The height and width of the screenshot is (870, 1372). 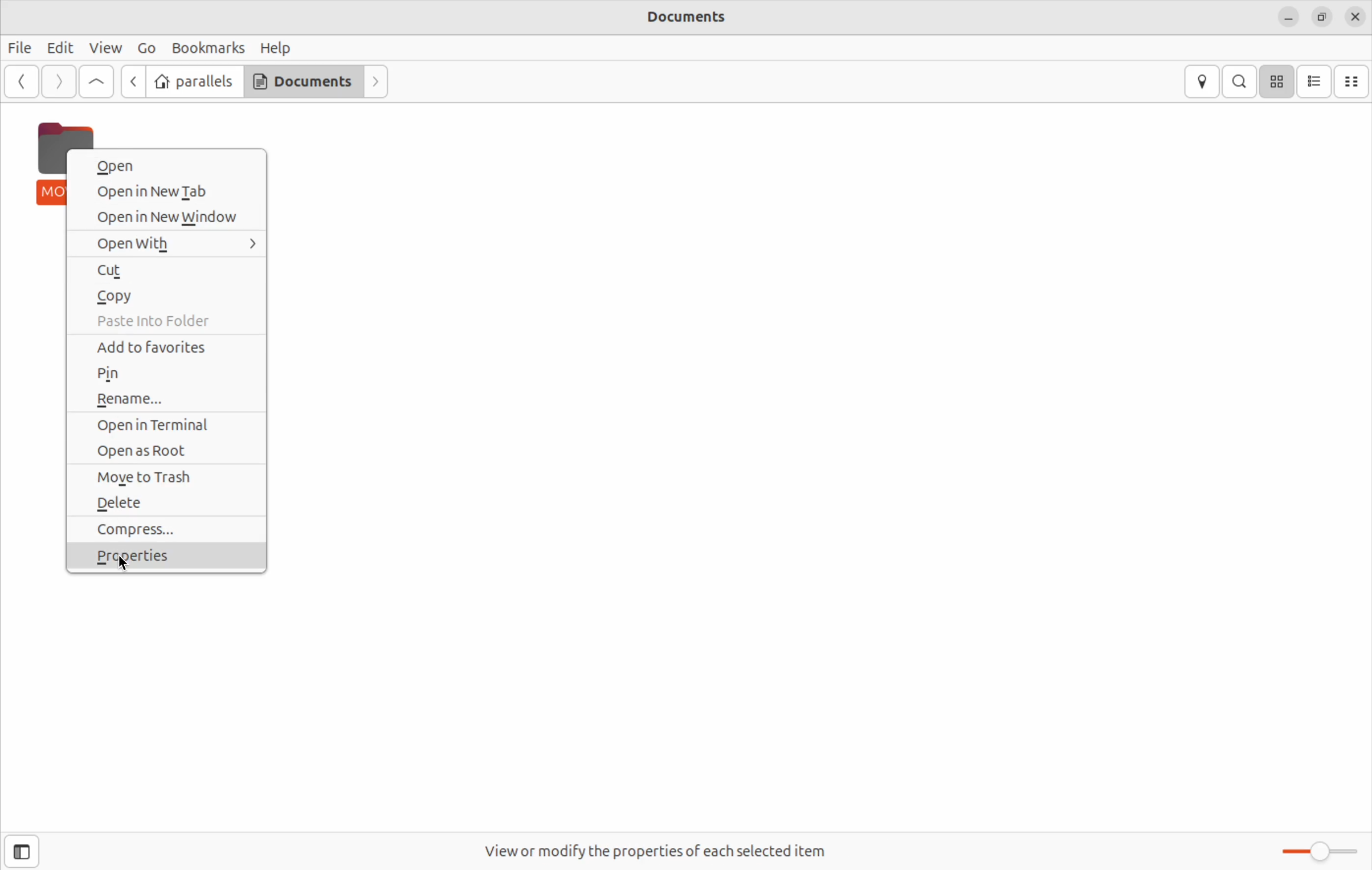 I want to click on documents, so click(x=688, y=17).